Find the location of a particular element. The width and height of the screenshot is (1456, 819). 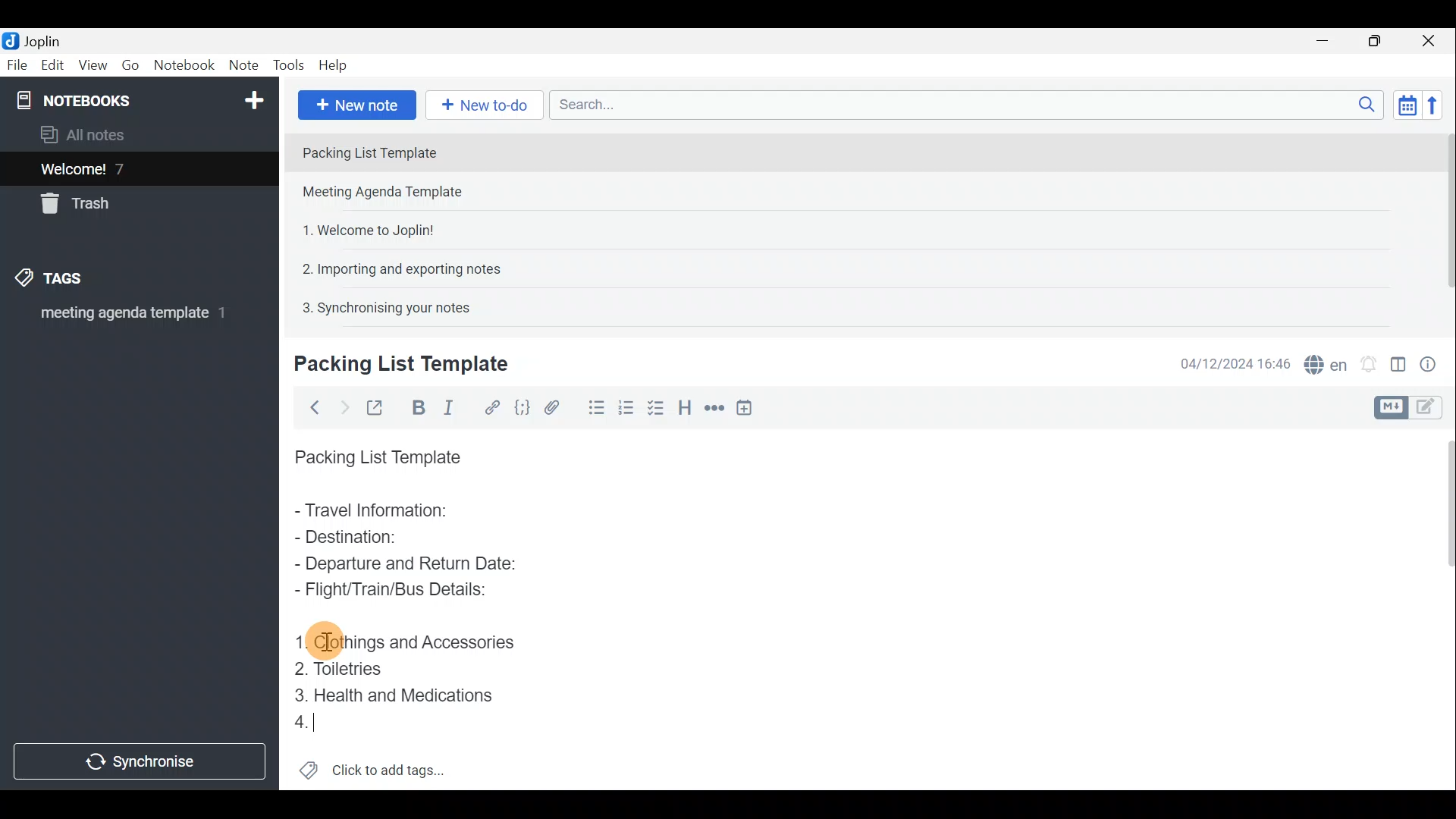

Click to add tags is located at coordinates (372, 766).